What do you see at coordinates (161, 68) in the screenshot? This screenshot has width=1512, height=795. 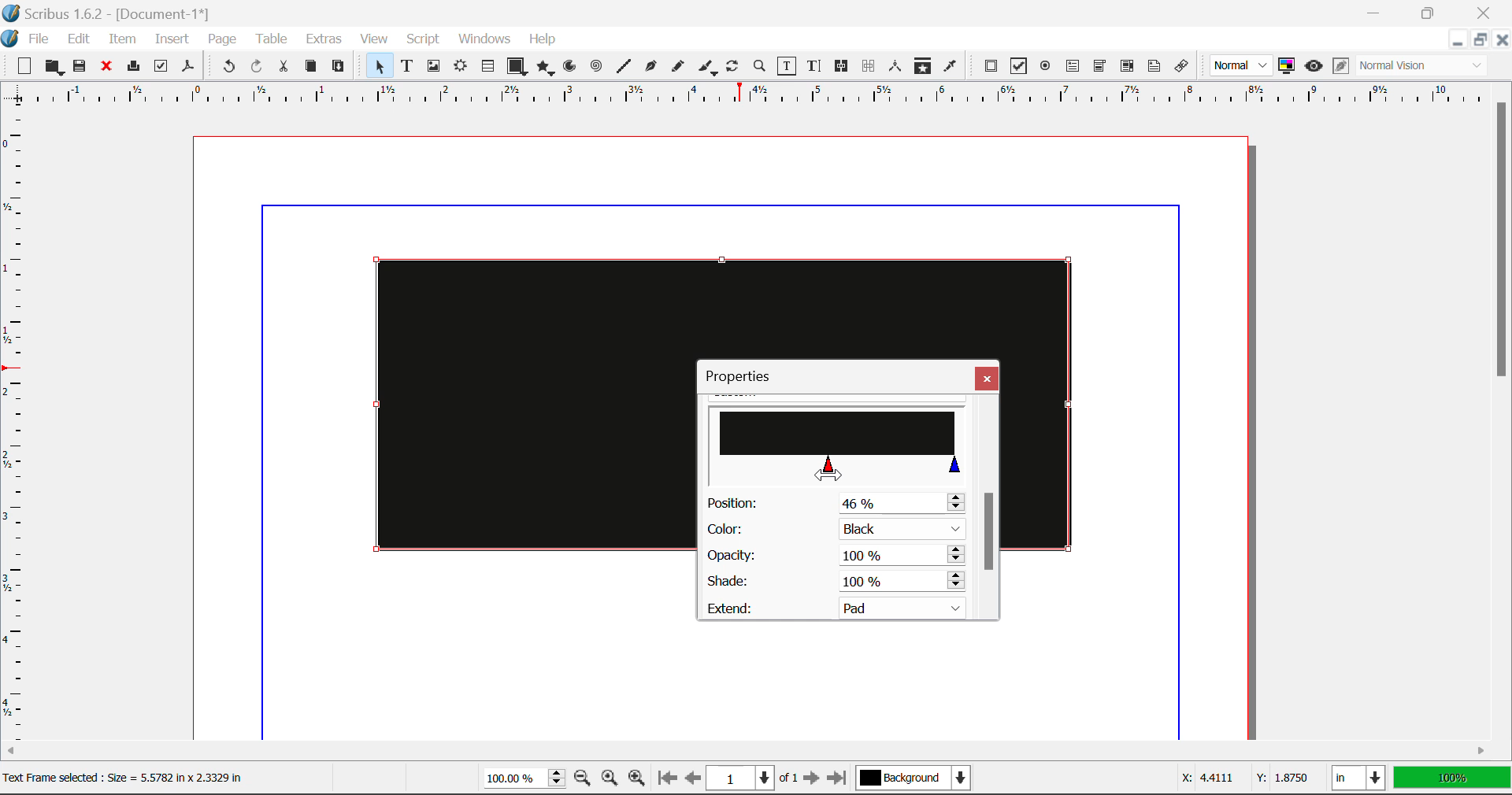 I see `Preflight Verifier` at bounding box center [161, 68].